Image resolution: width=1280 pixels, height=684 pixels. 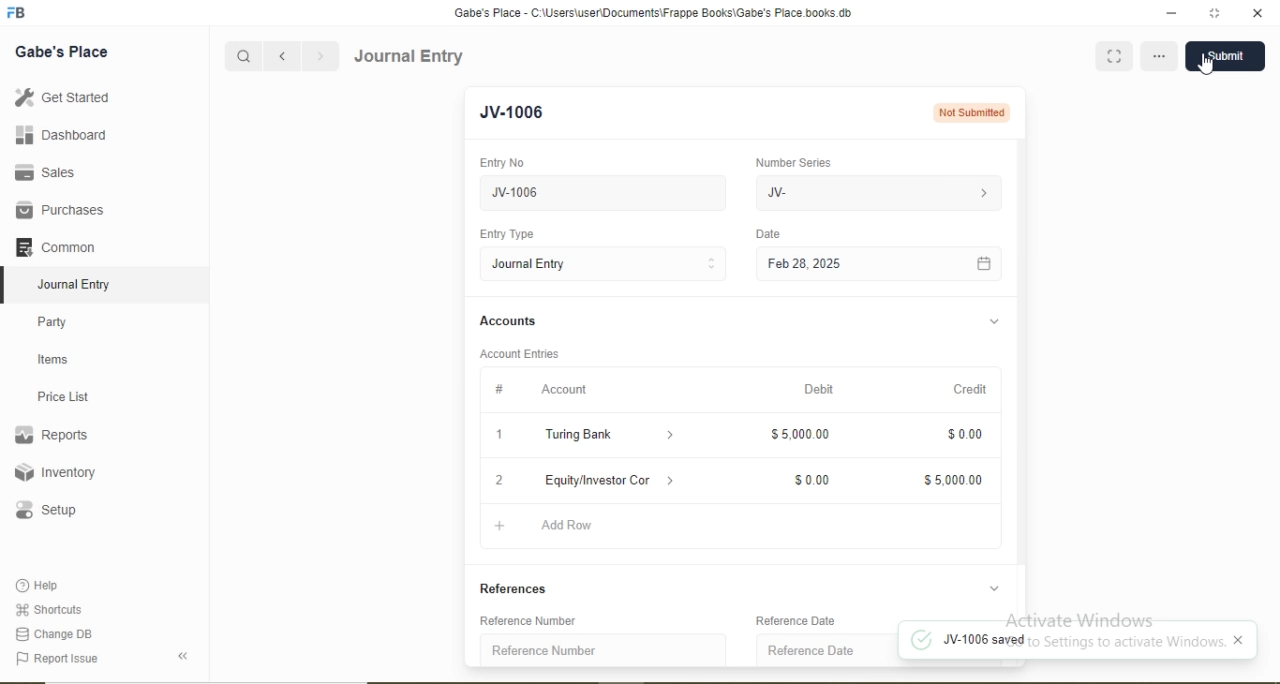 What do you see at coordinates (47, 609) in the screenshot?
I see `Shortcuts` at bounding box center [47, 609].